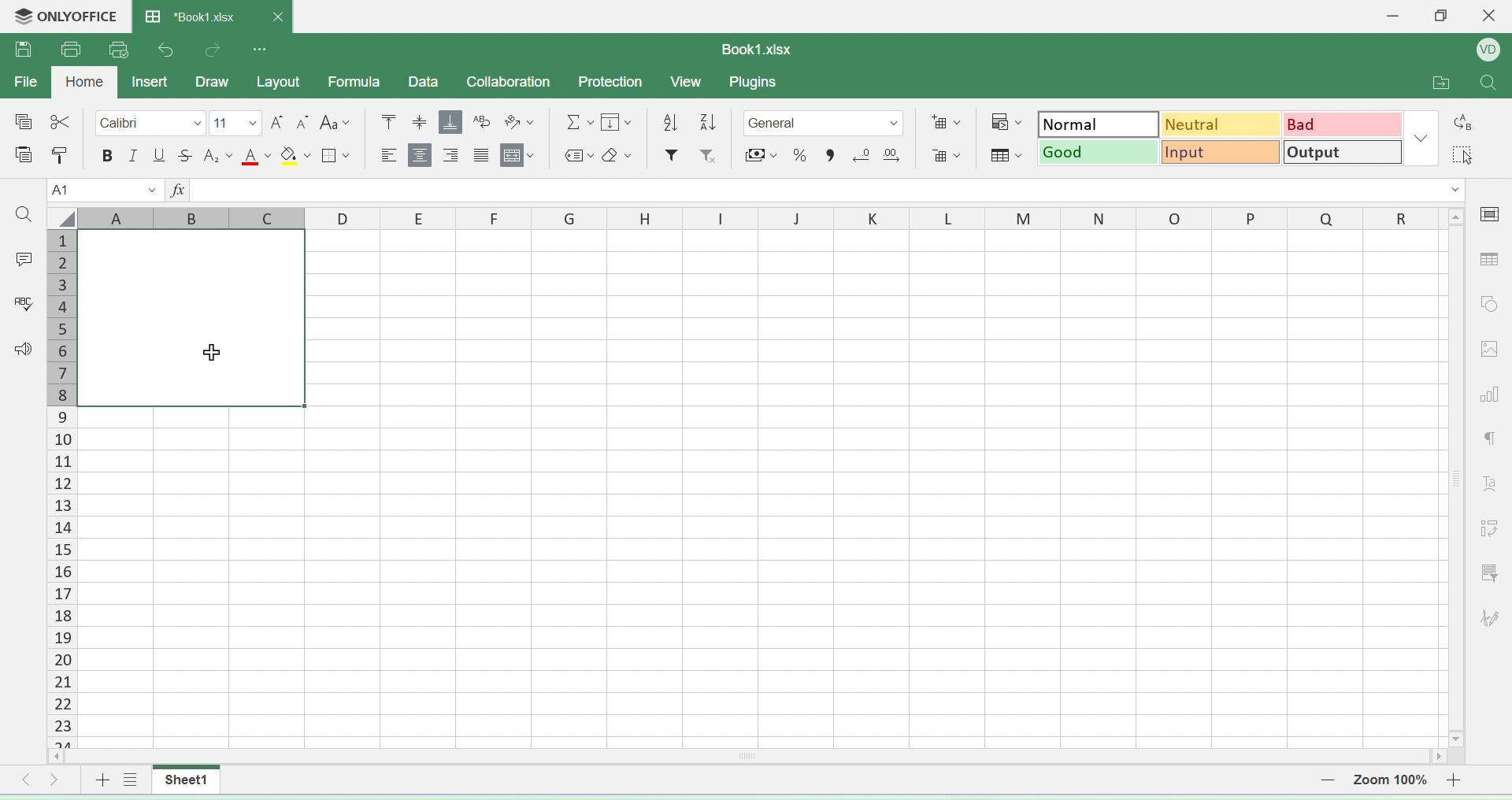 This screenshot has height=800, width=1512. Describe the element at coordinates (762, 82) in the screenshot. I see `plugins` at that location.